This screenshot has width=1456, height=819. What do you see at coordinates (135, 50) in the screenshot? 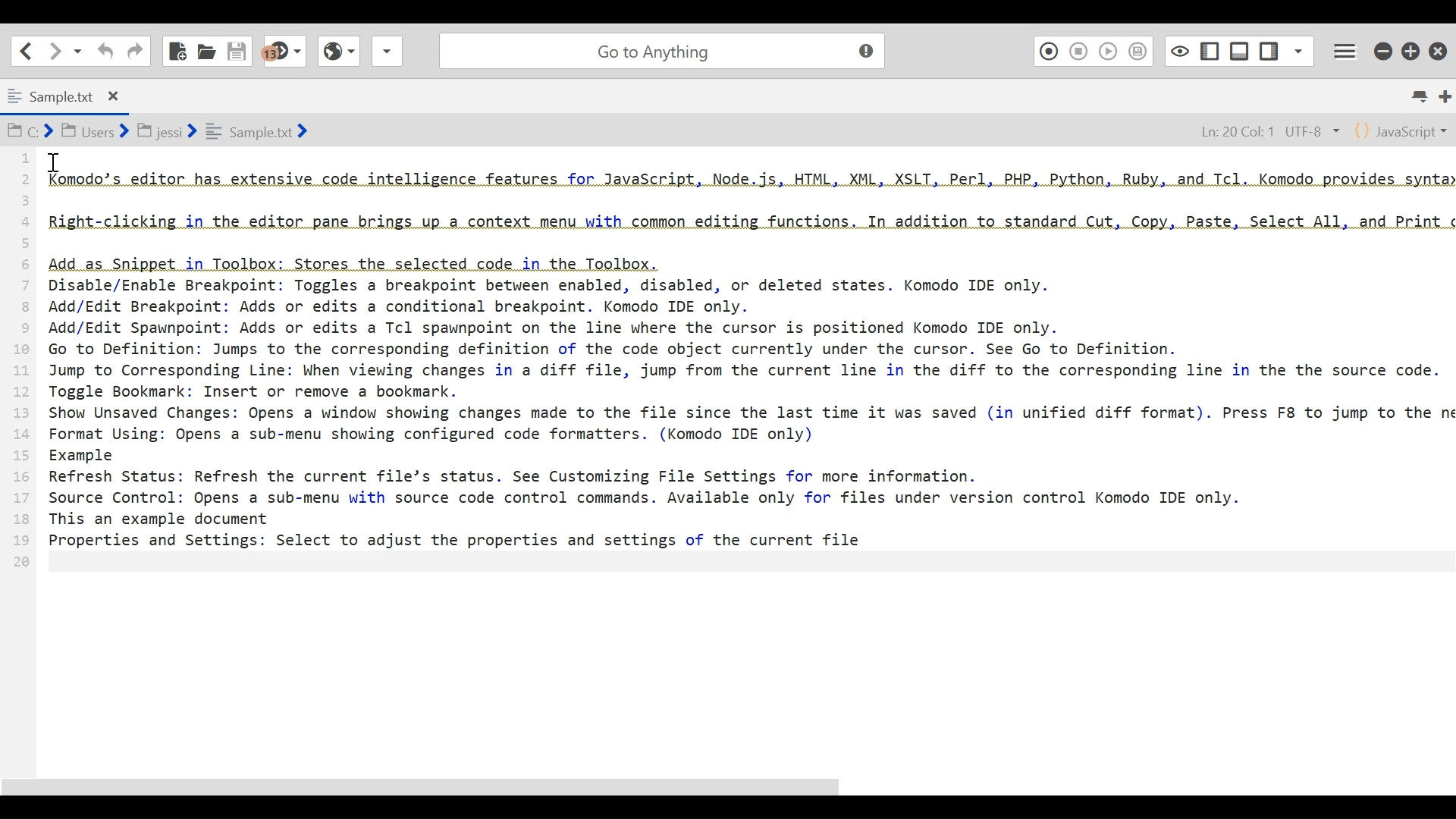
I see `Redo` at bounding box center [135, 50].